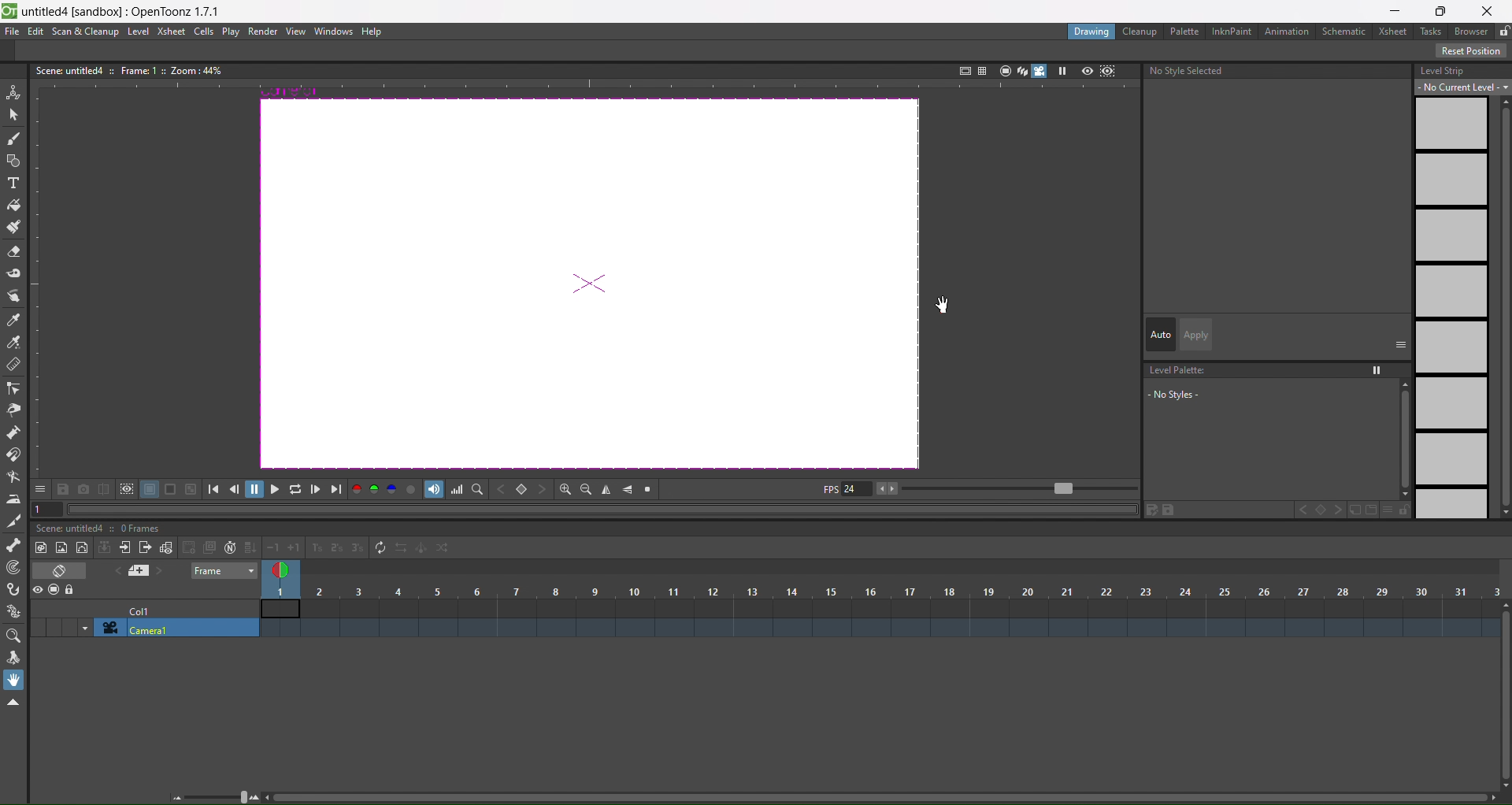 This screenshot has height=805, width=1512. Describe the element at coordinates (264, 32) in the screenshot. I see `render` at that location.